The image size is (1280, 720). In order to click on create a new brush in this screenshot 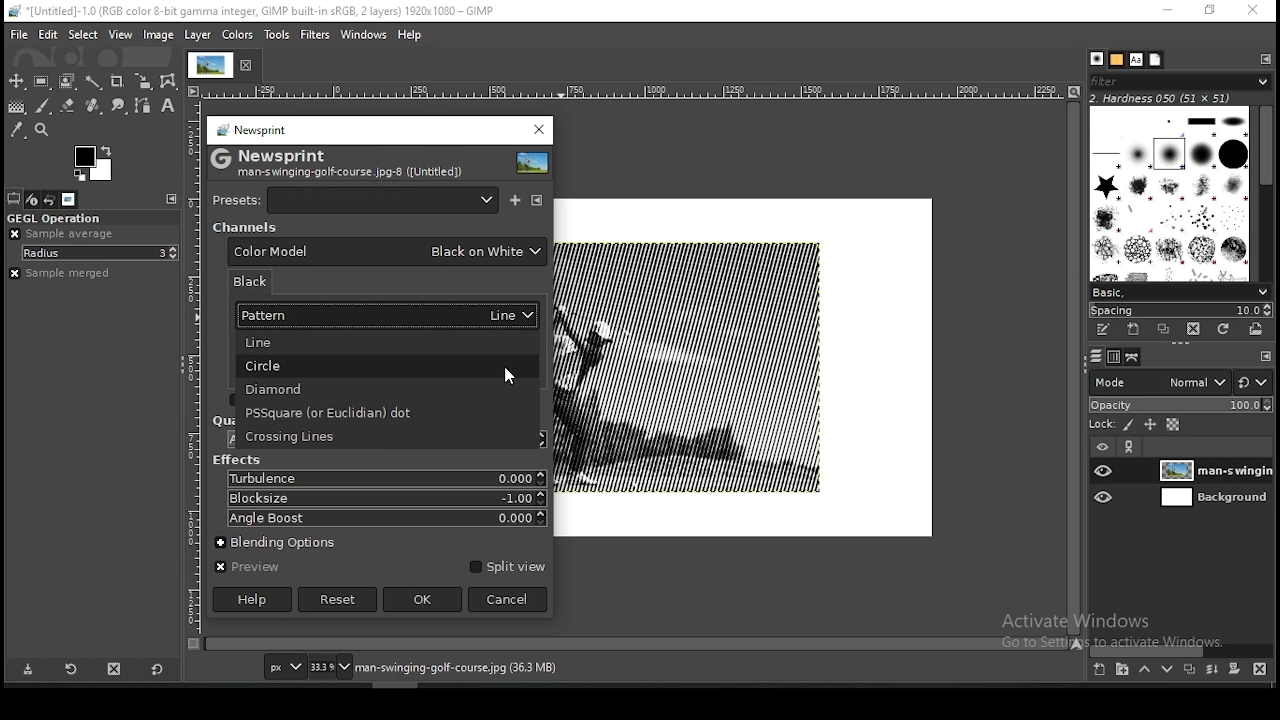, I will do `click(1134, 330)`.